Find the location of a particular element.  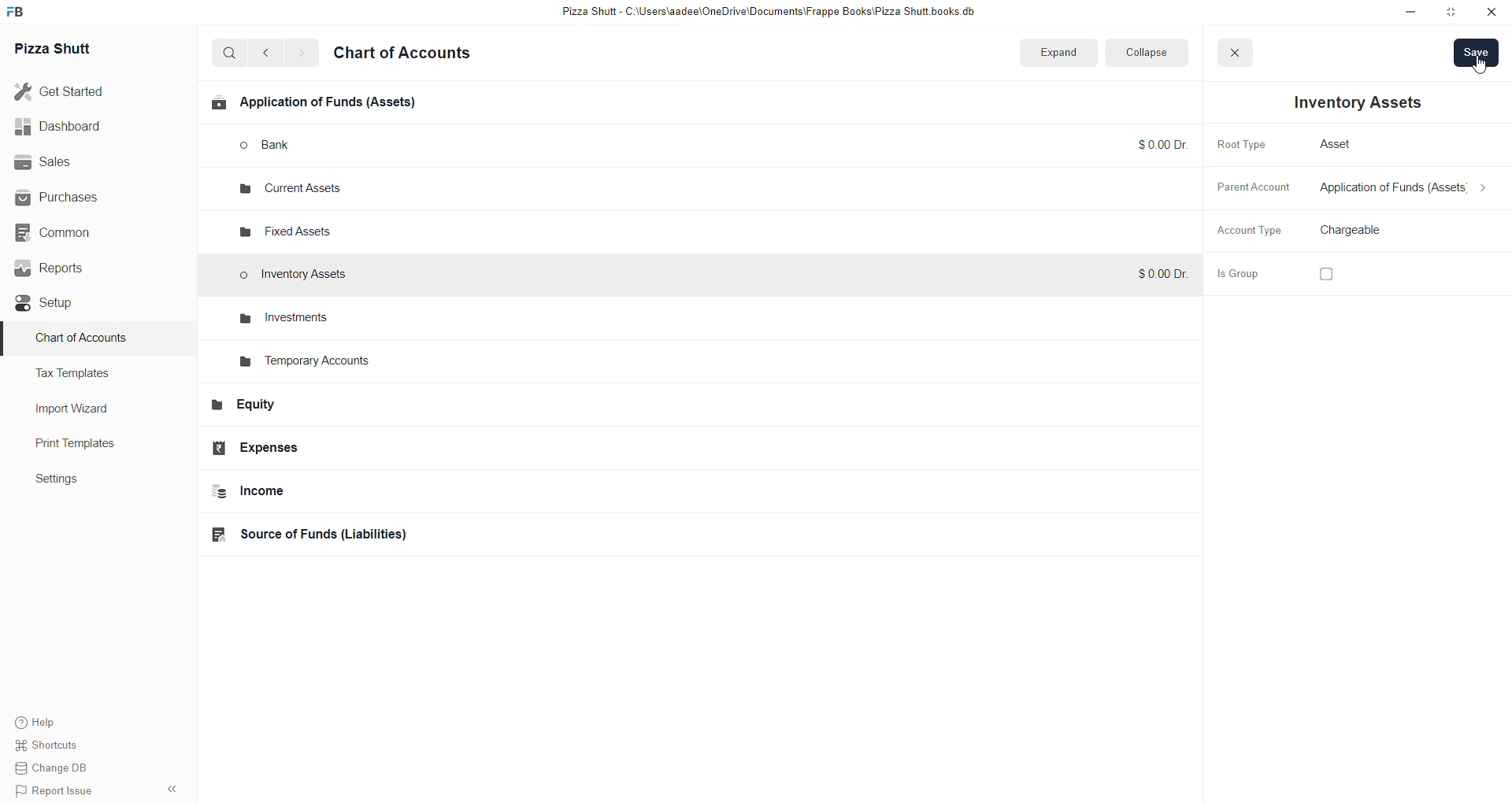

current assets is located at coordinates (285, 191).